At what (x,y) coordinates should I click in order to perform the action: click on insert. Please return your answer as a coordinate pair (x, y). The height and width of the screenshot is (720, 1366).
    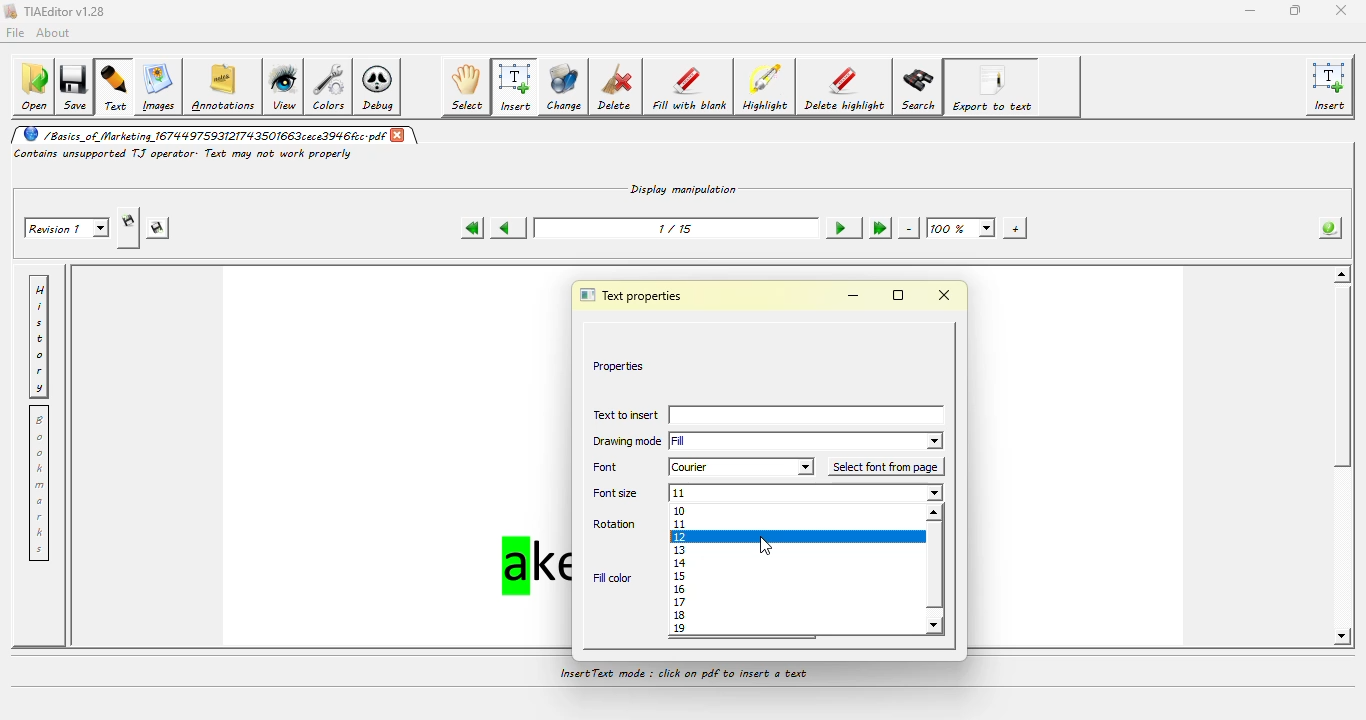
    Looking at the image, I should click on (1332, 87).